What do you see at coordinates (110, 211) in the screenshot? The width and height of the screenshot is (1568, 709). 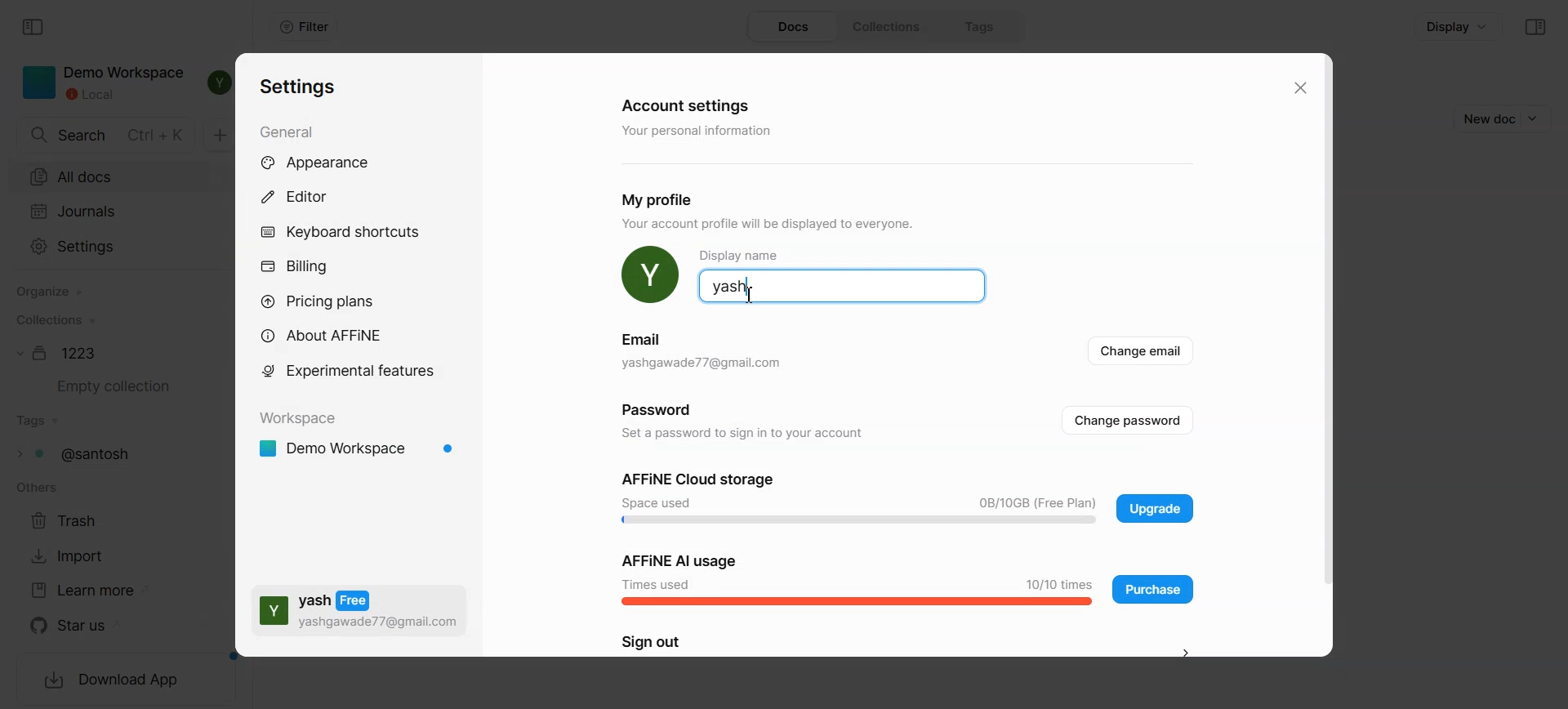 I see `Journals` at bounding box center [110, 211].